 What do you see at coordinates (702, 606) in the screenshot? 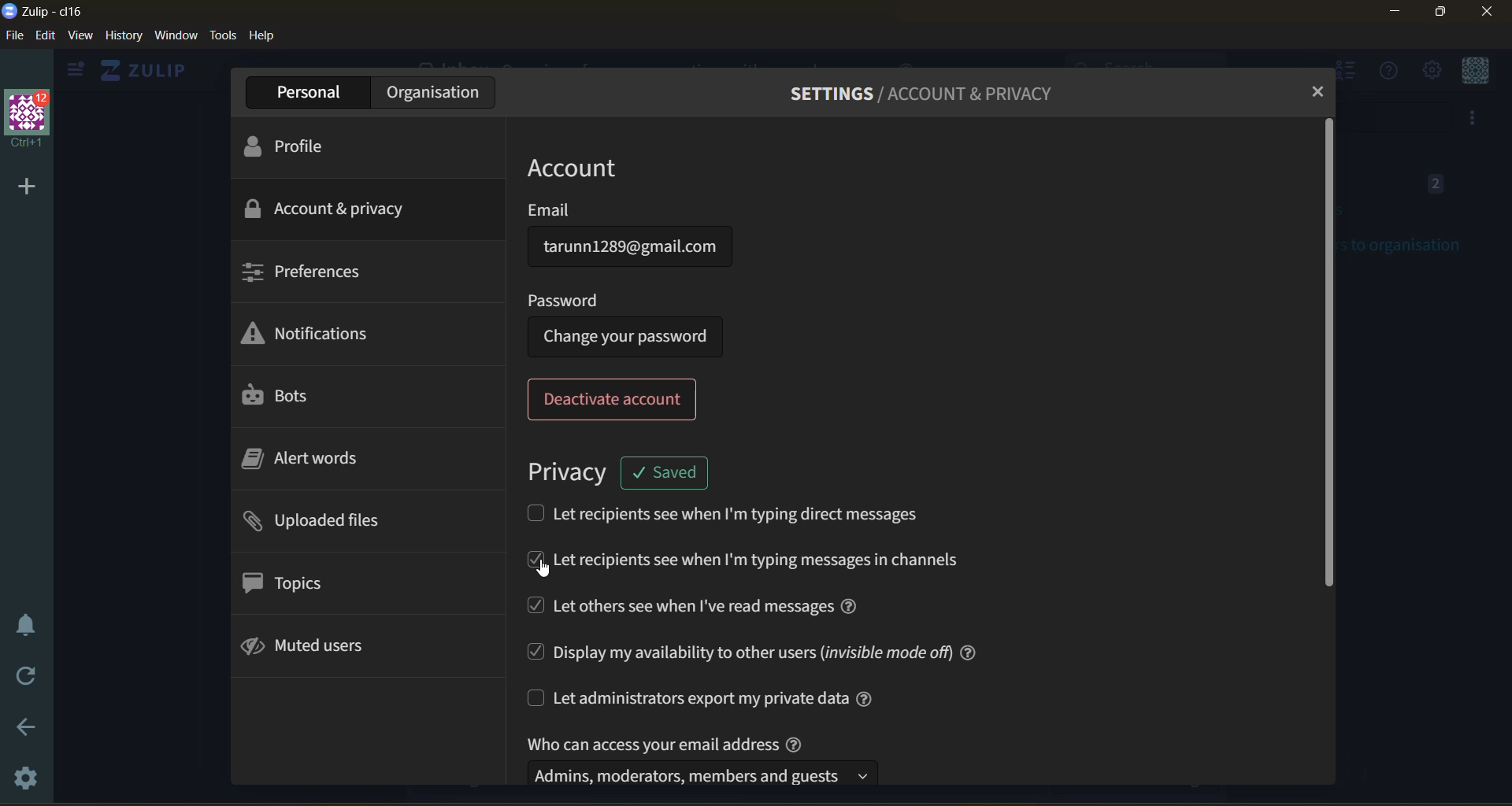
I see `let others see when i've read messages` at bounding box center [702, 606].